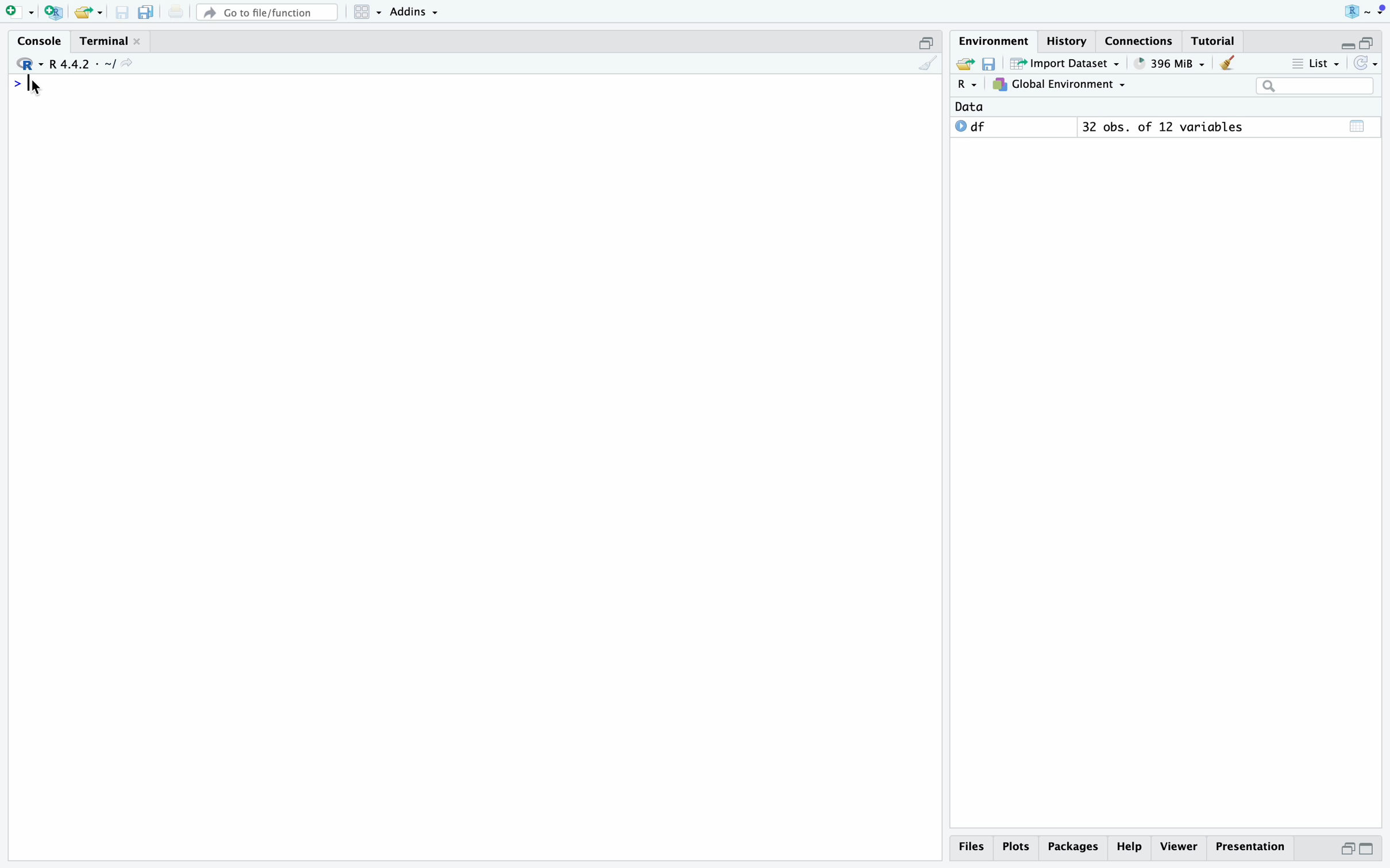 Image resolution: width=1390 pixels, height=868 pixels. Describe the element at coordinates (1367, 850) in the screenshot. I see `switch to full view` at that location.